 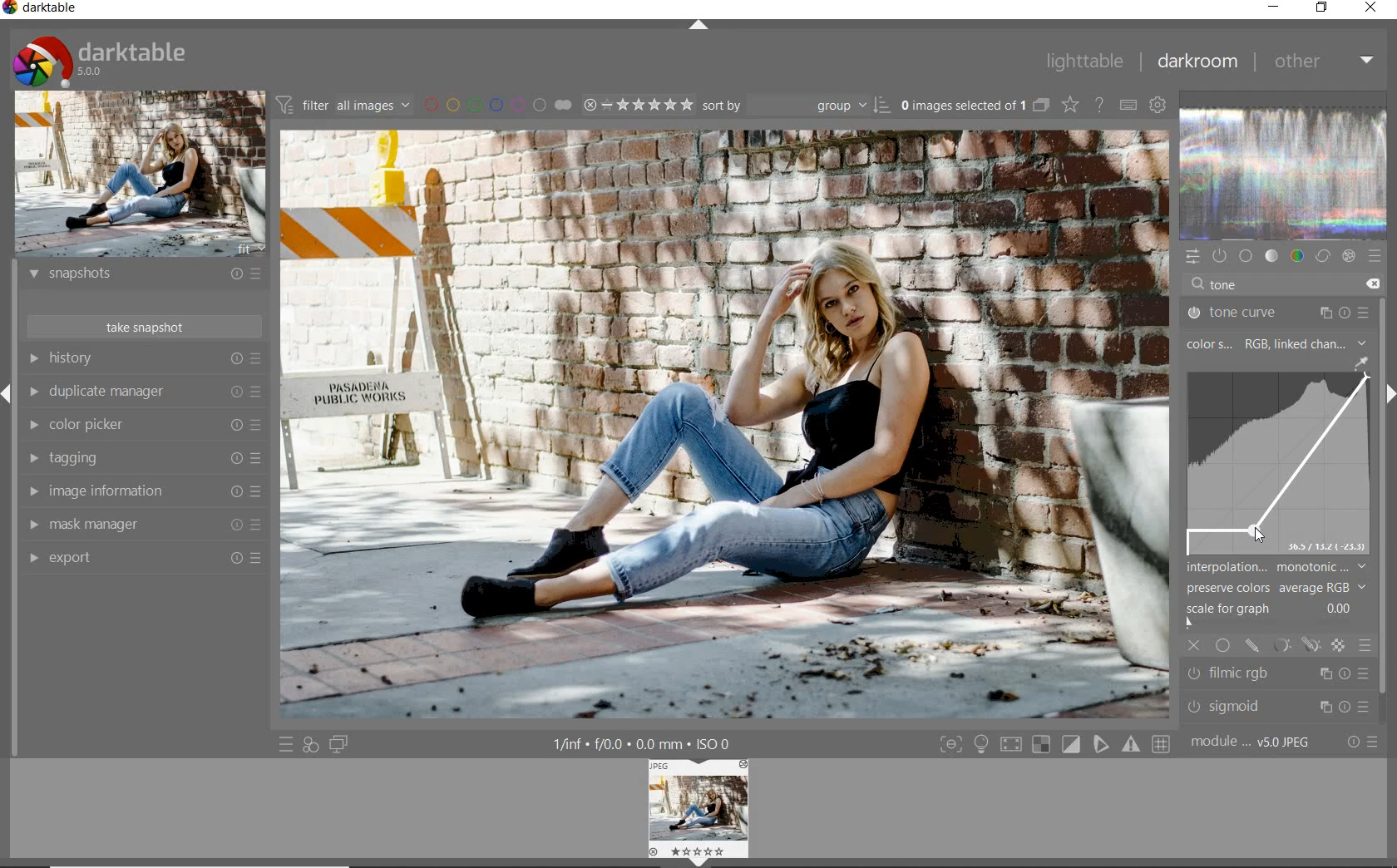 I want to click on set keyboard shortcuts, so click(x=1128, y=106).